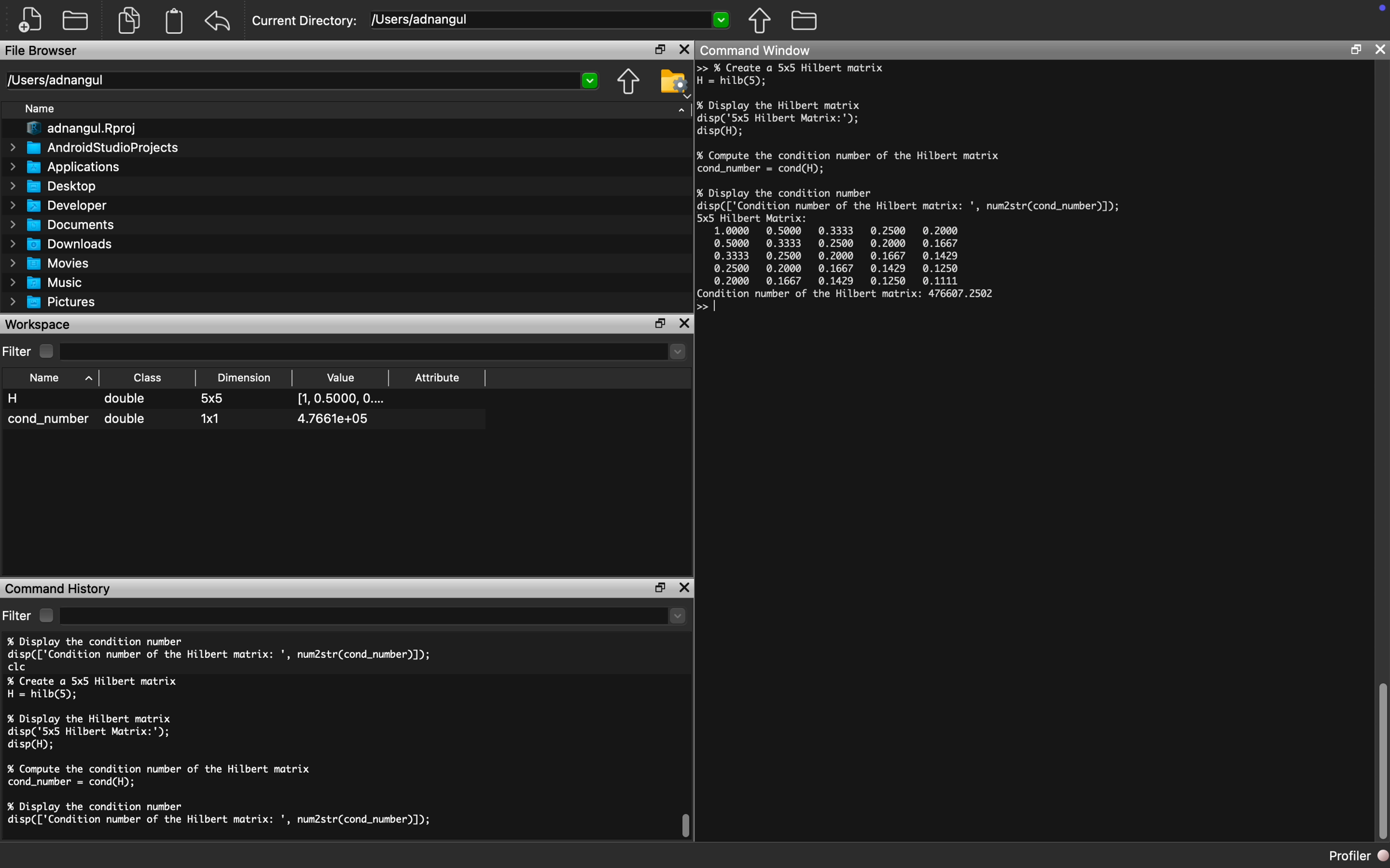  Describe the element at coordinates (687, 827) in the screenshot. I see `Scroll` at that location.